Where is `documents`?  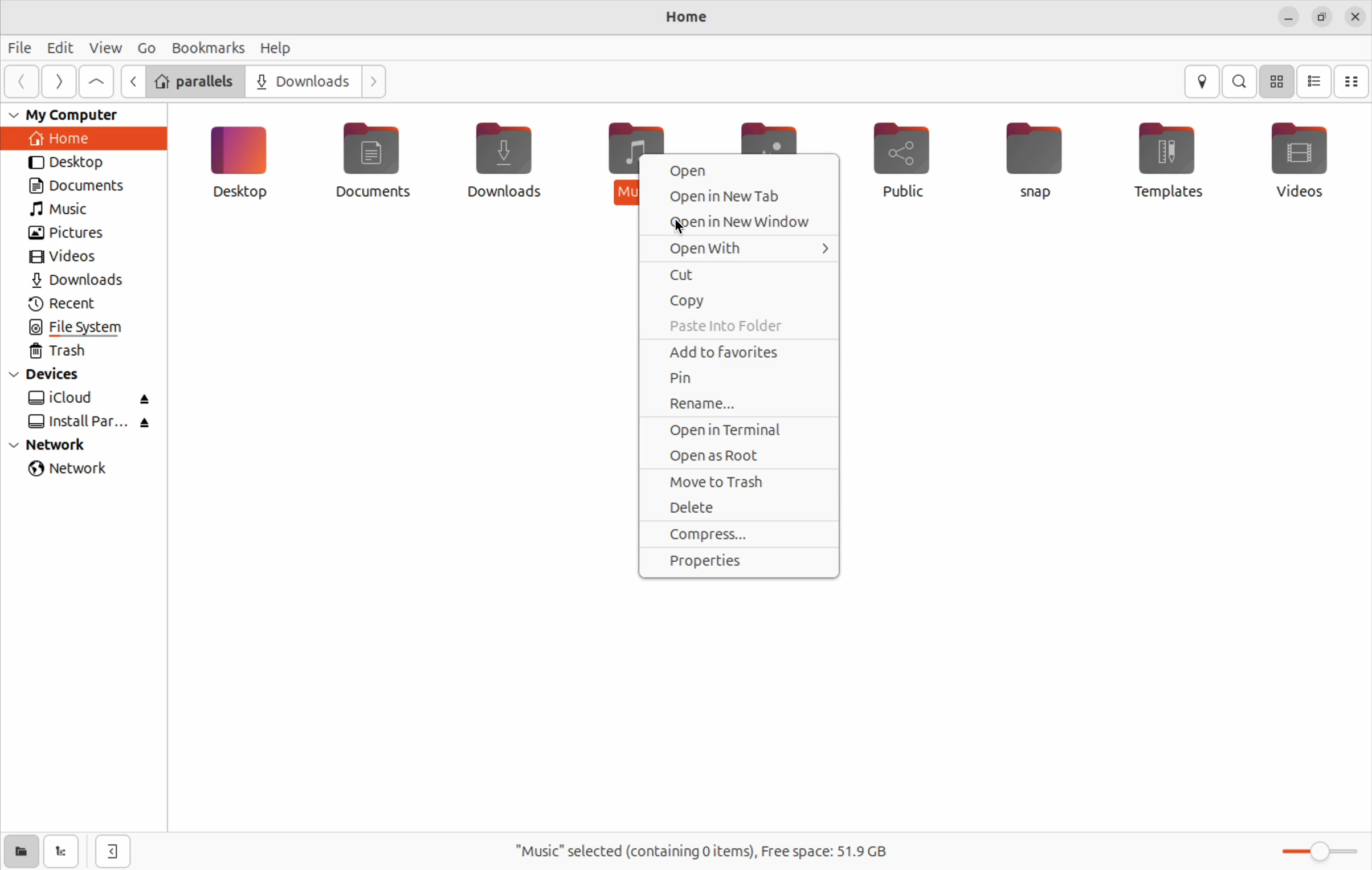 documents is located at coordinates (86, 186).